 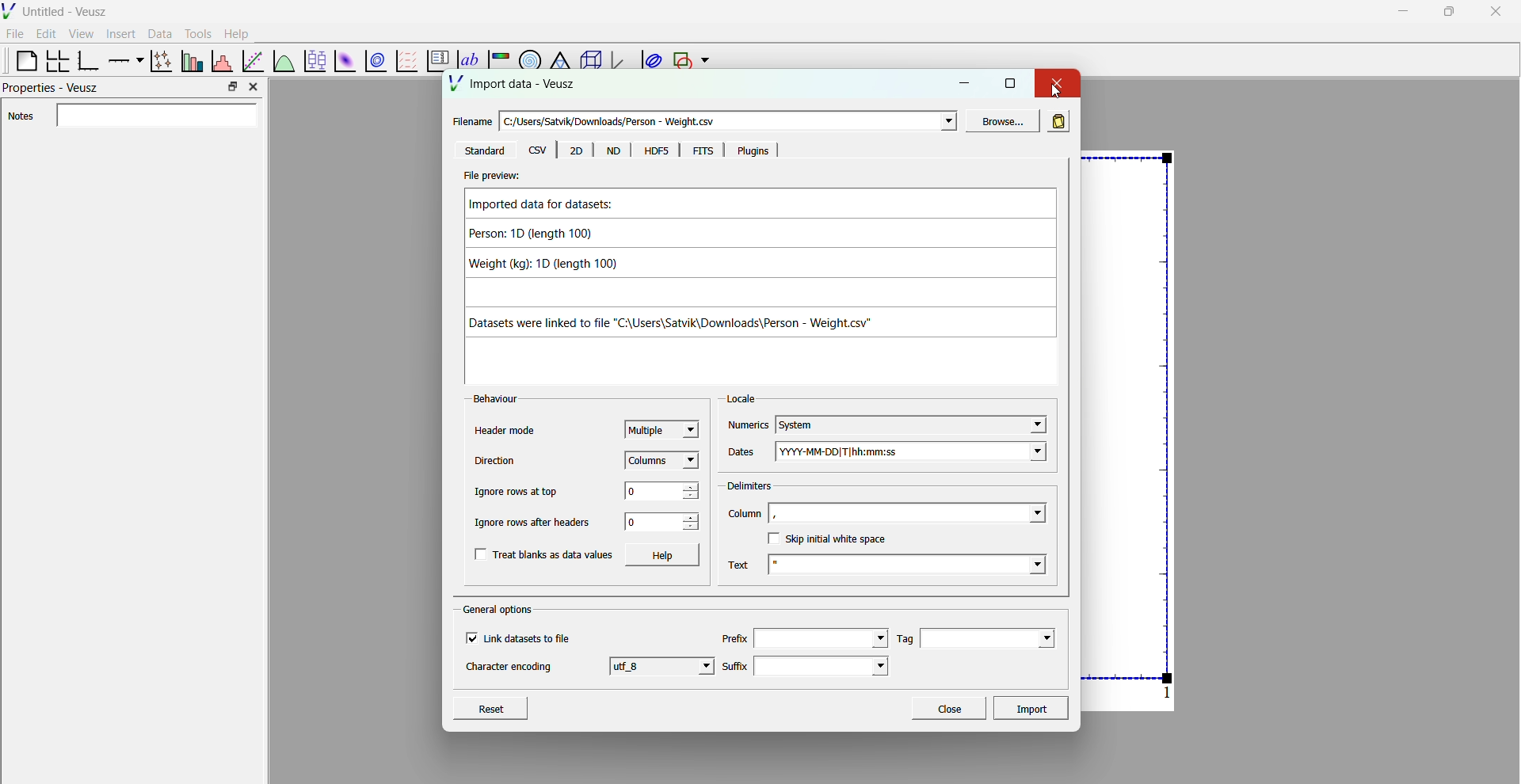 What do you see at coordinates (699, 150) in the screenshot?
I see `FITS` at bounding box center [699, 150].